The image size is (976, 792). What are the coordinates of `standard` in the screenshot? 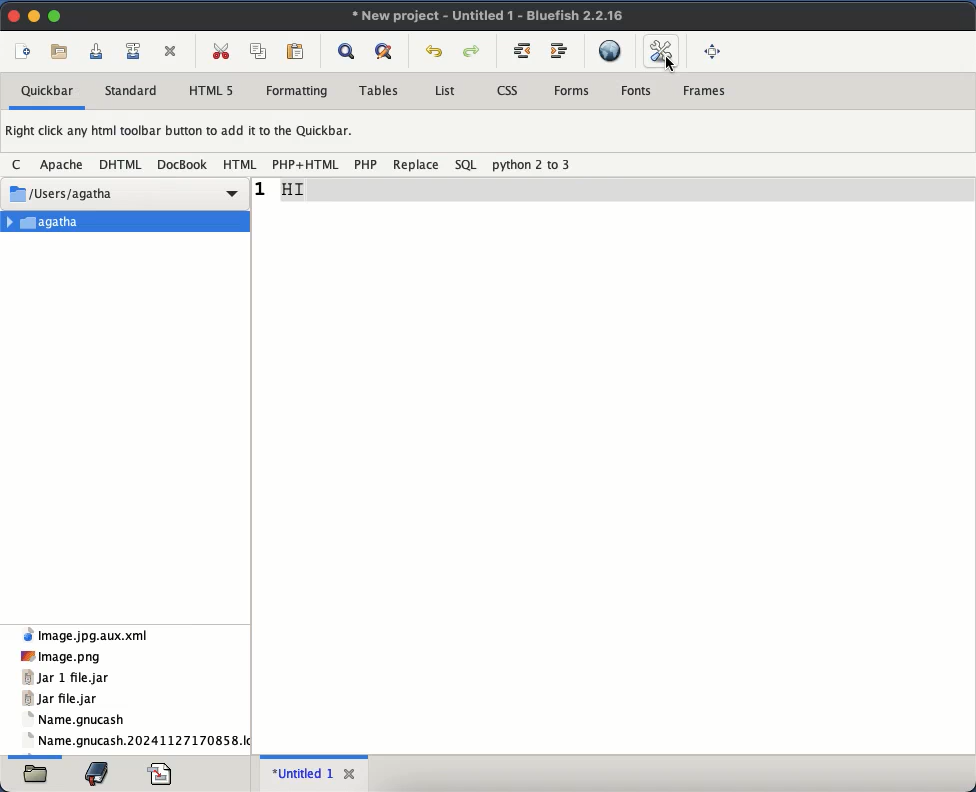 It's located at (133, 90).